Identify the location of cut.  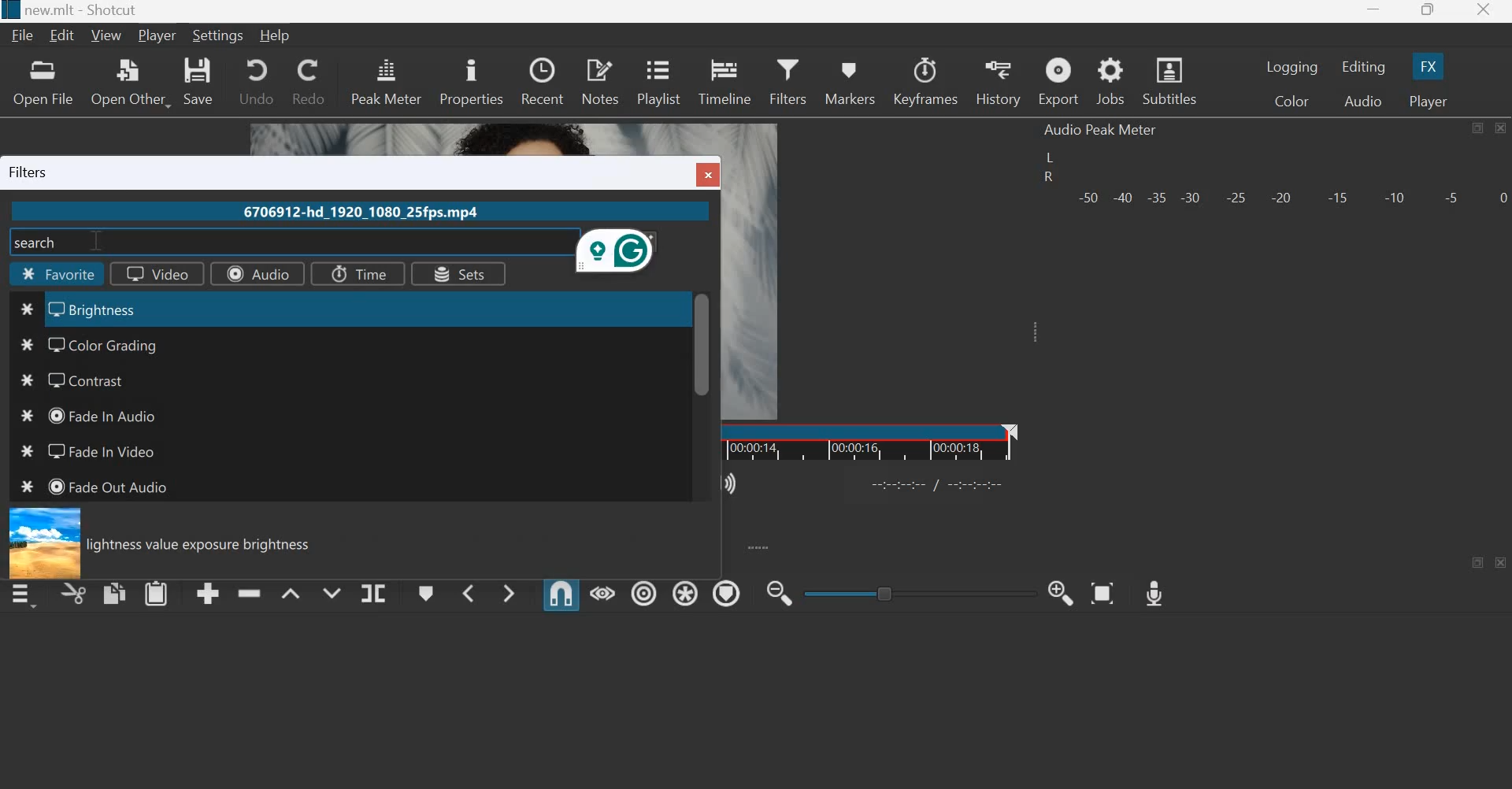
(74, 595).